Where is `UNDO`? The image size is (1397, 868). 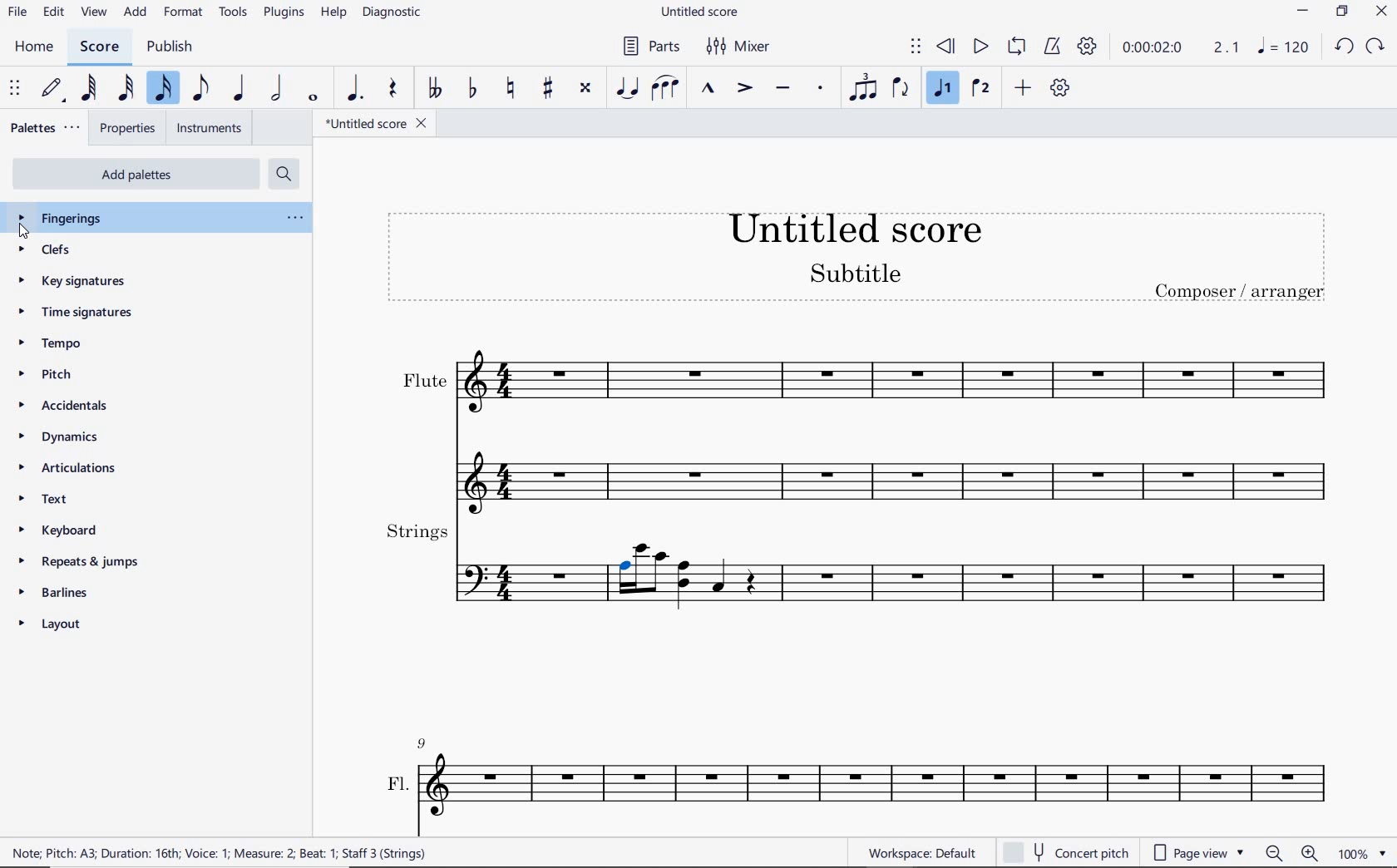 UNDO is located at coordinates (1344, 46).